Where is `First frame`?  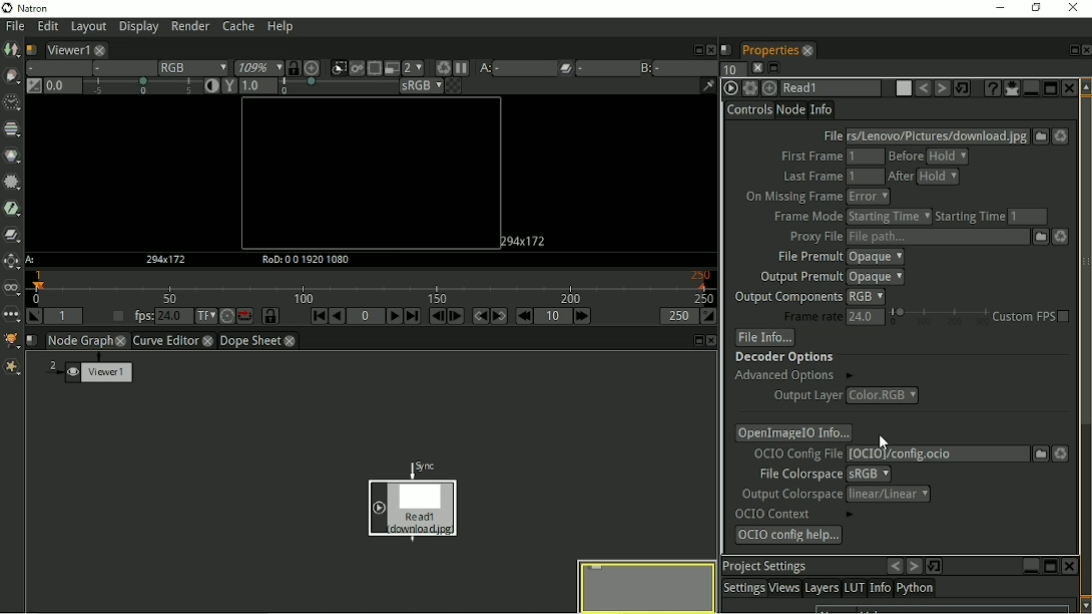
First frame is located at coordinates (874, 155).